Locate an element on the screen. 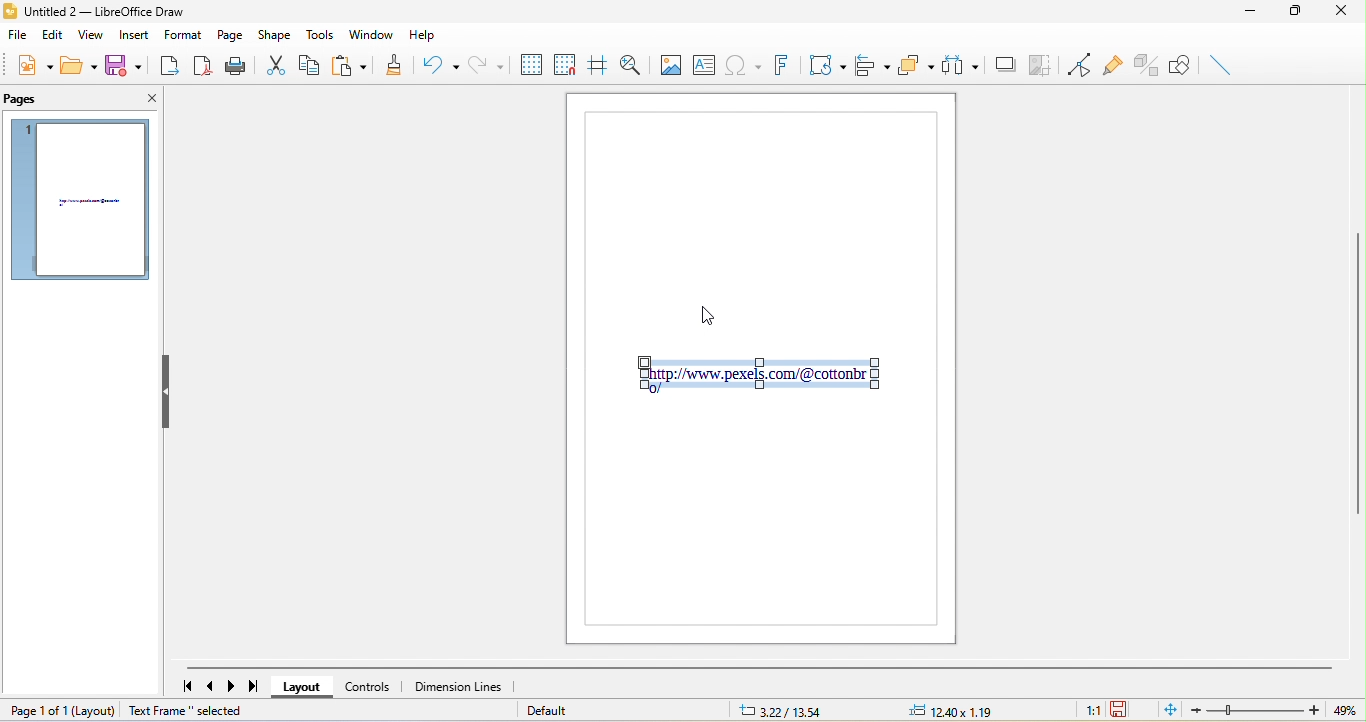 The height and width of the screenshot is (722, 1366). 1:1 is located at coordinates (1085, 711).